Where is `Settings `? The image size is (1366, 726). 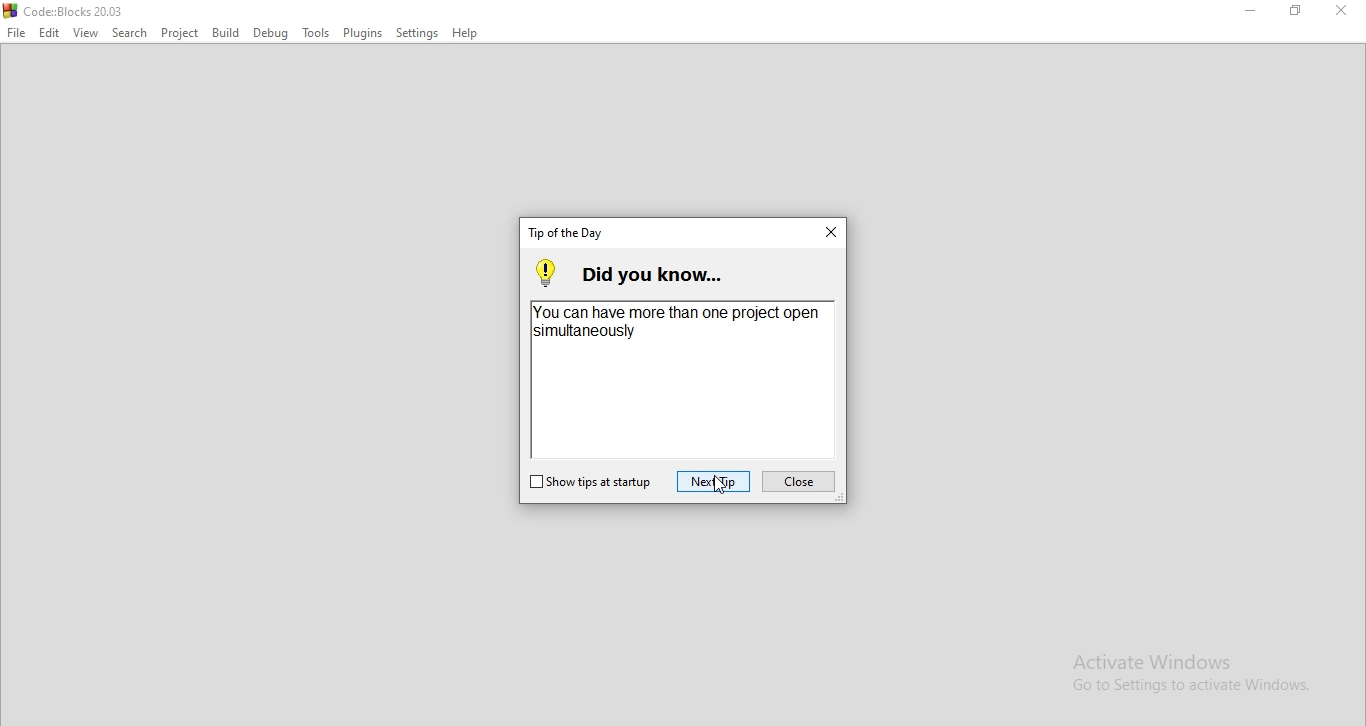
Settings  is located at coordinates (419, 34).